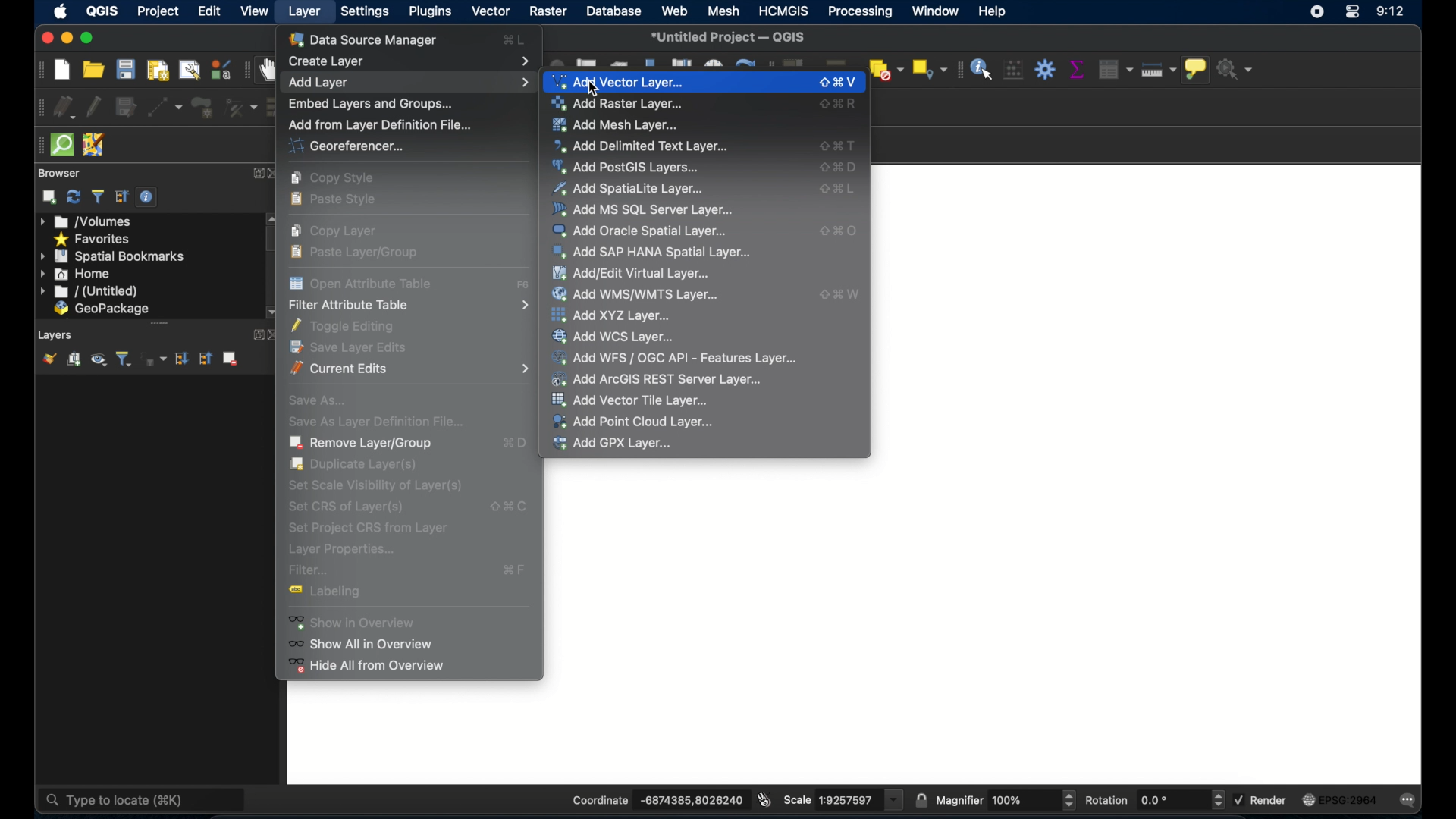  What do you see at coordinates (340, 231) in the screenshot?
I see `Copy layer` at bounding box center [340, 231].